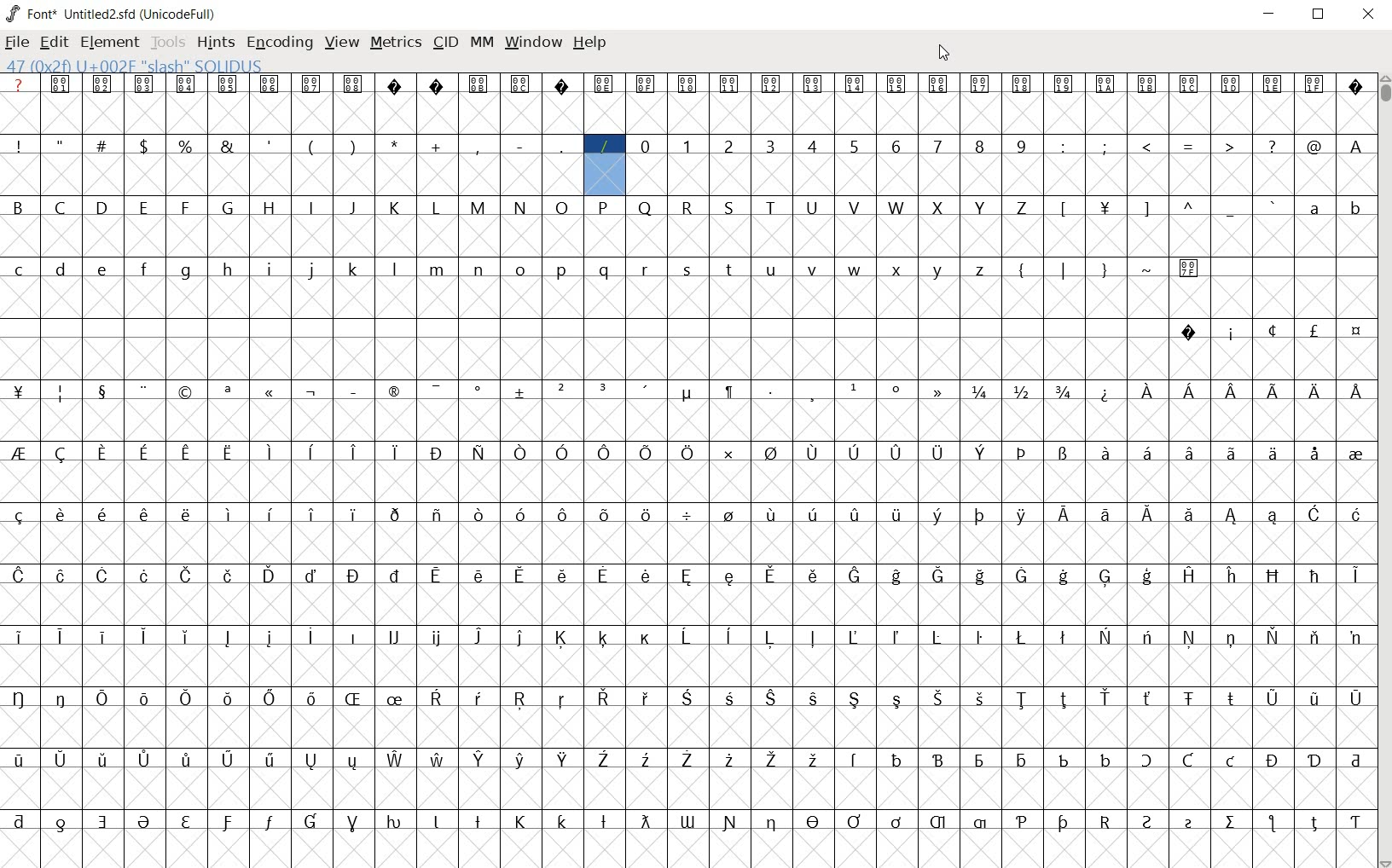  What do you see at coordinates (1232, 453) in the screenshot?
I see `glyph` at bounding box center [1232, 453].